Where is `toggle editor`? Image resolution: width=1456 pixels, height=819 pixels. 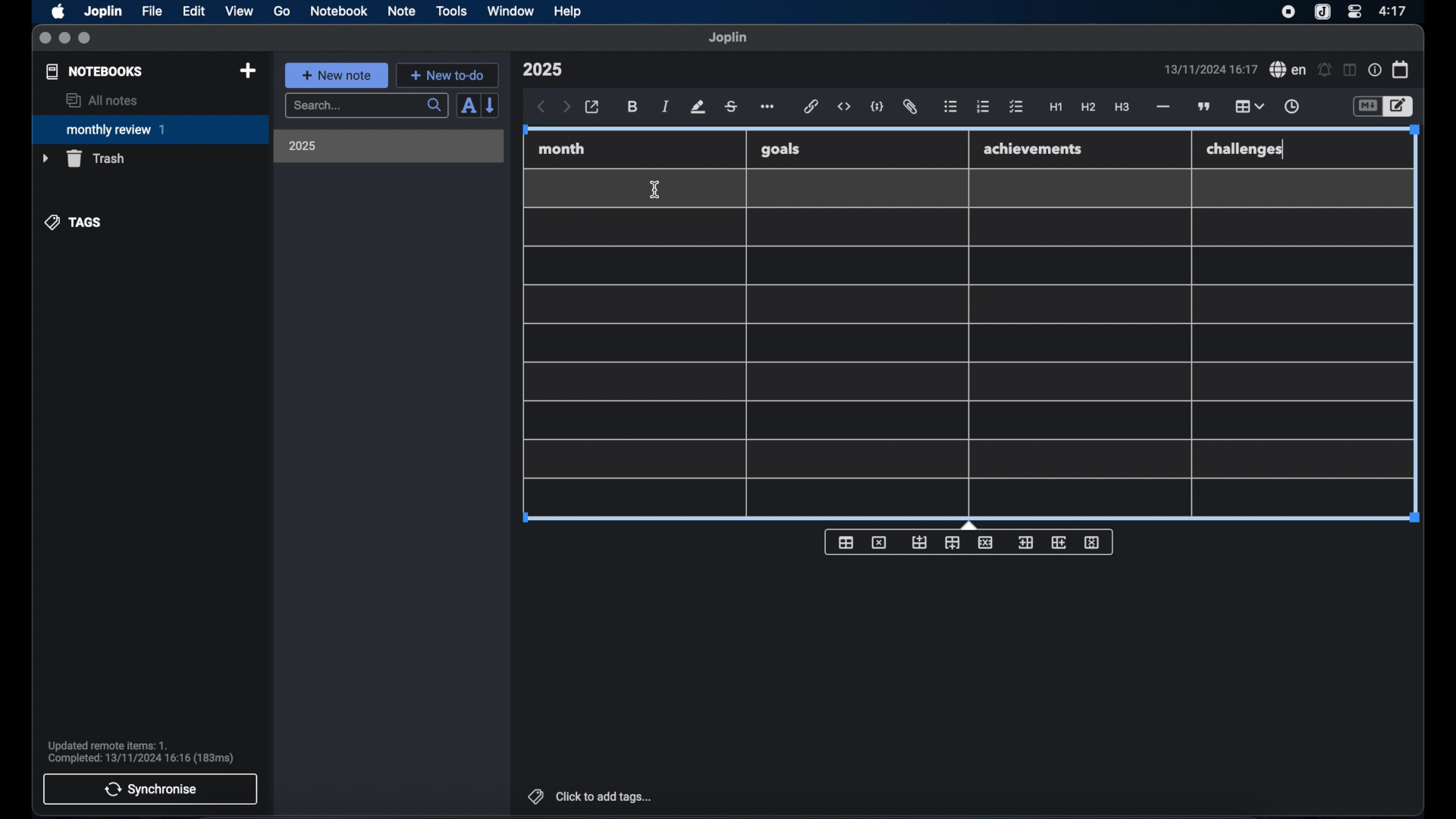 toggle editor is located at coordinates (1401, 107).